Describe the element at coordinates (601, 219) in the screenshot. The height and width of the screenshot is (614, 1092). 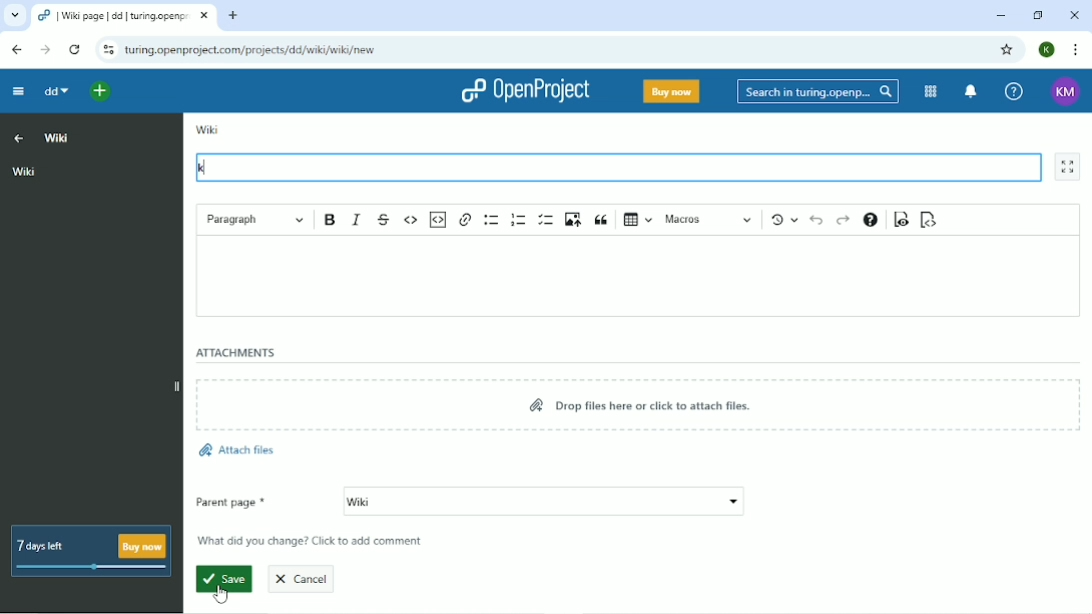
I see `Block quote` at that location.